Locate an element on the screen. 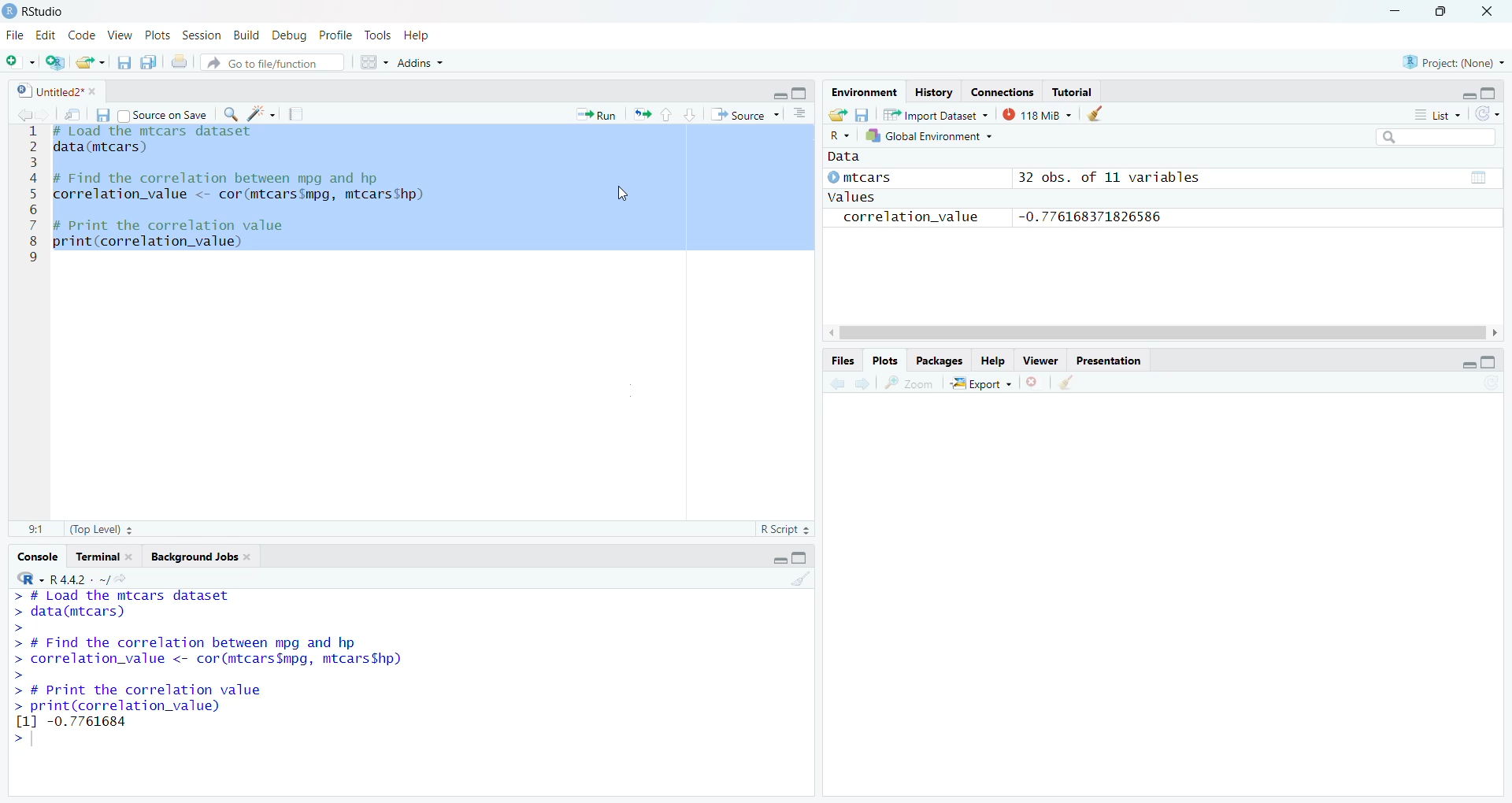  Go to previous section/chunk (Ctrl + PgUp) is located at coordinates (669, 112).